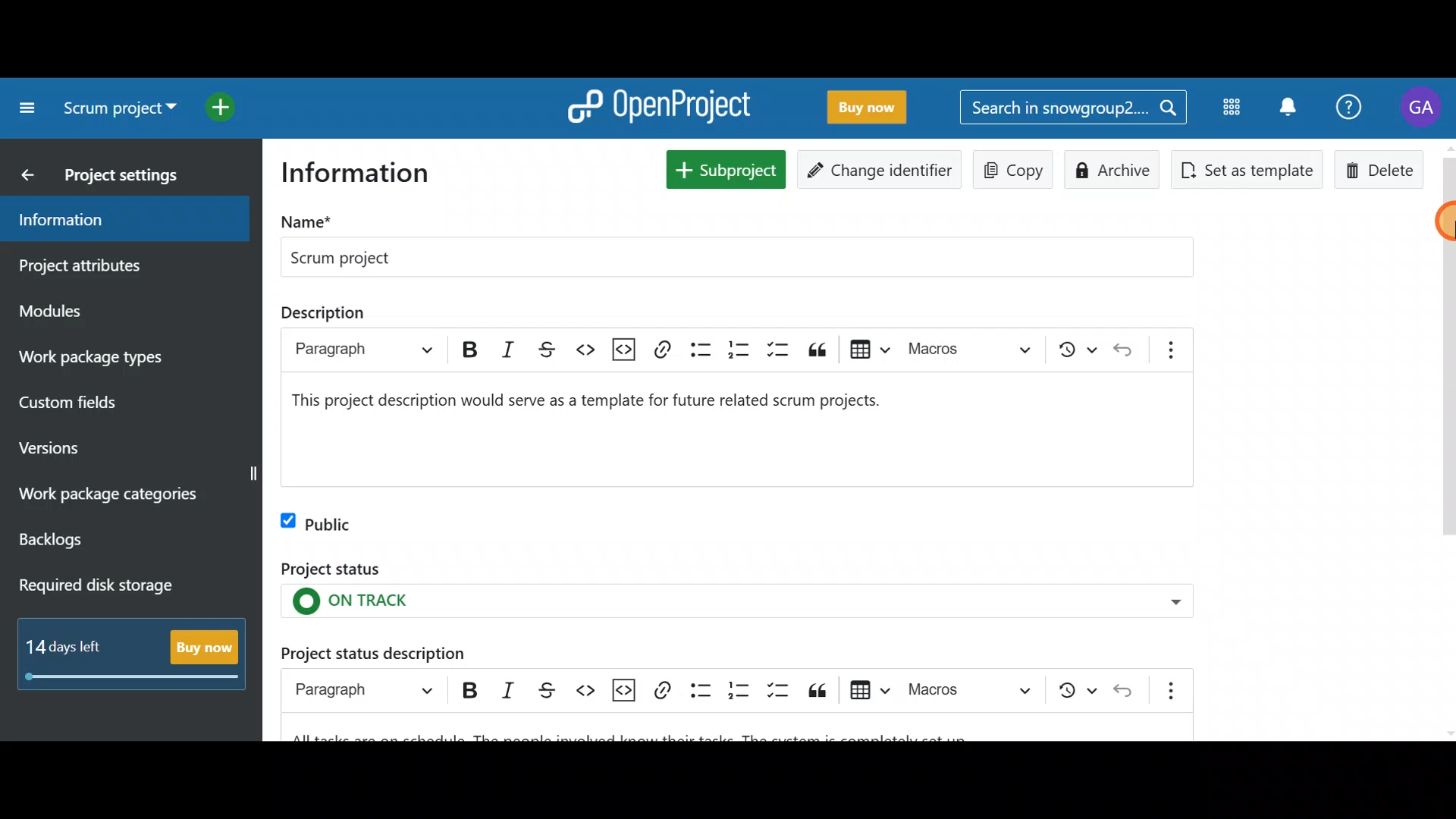 The width and height of the screenshot is (1456, 819). Describe the element at coordinates (700, 350) in the screenshot. I see `bulleted list` at that location.